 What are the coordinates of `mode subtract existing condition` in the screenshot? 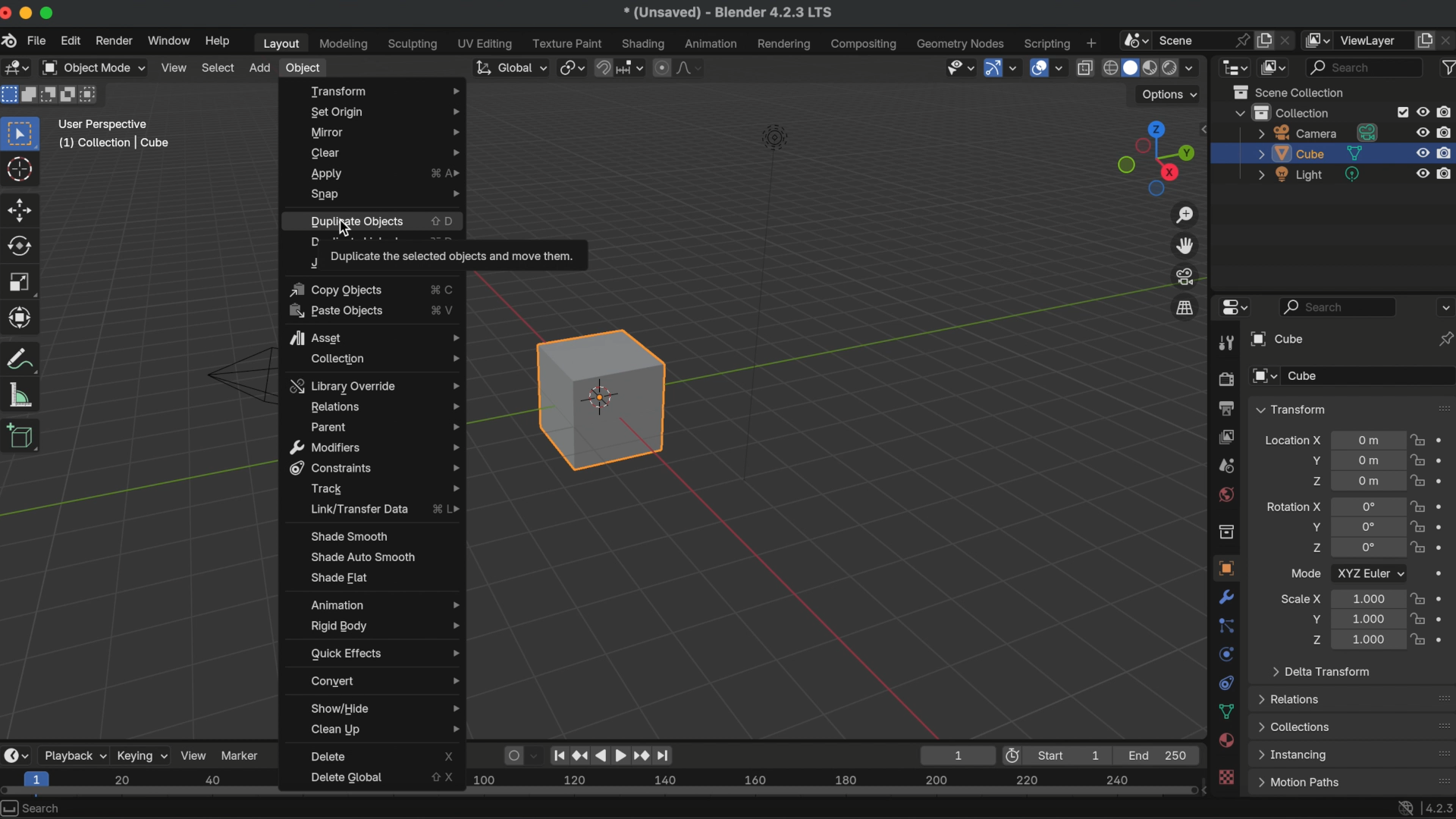 It's located at (49, 95).